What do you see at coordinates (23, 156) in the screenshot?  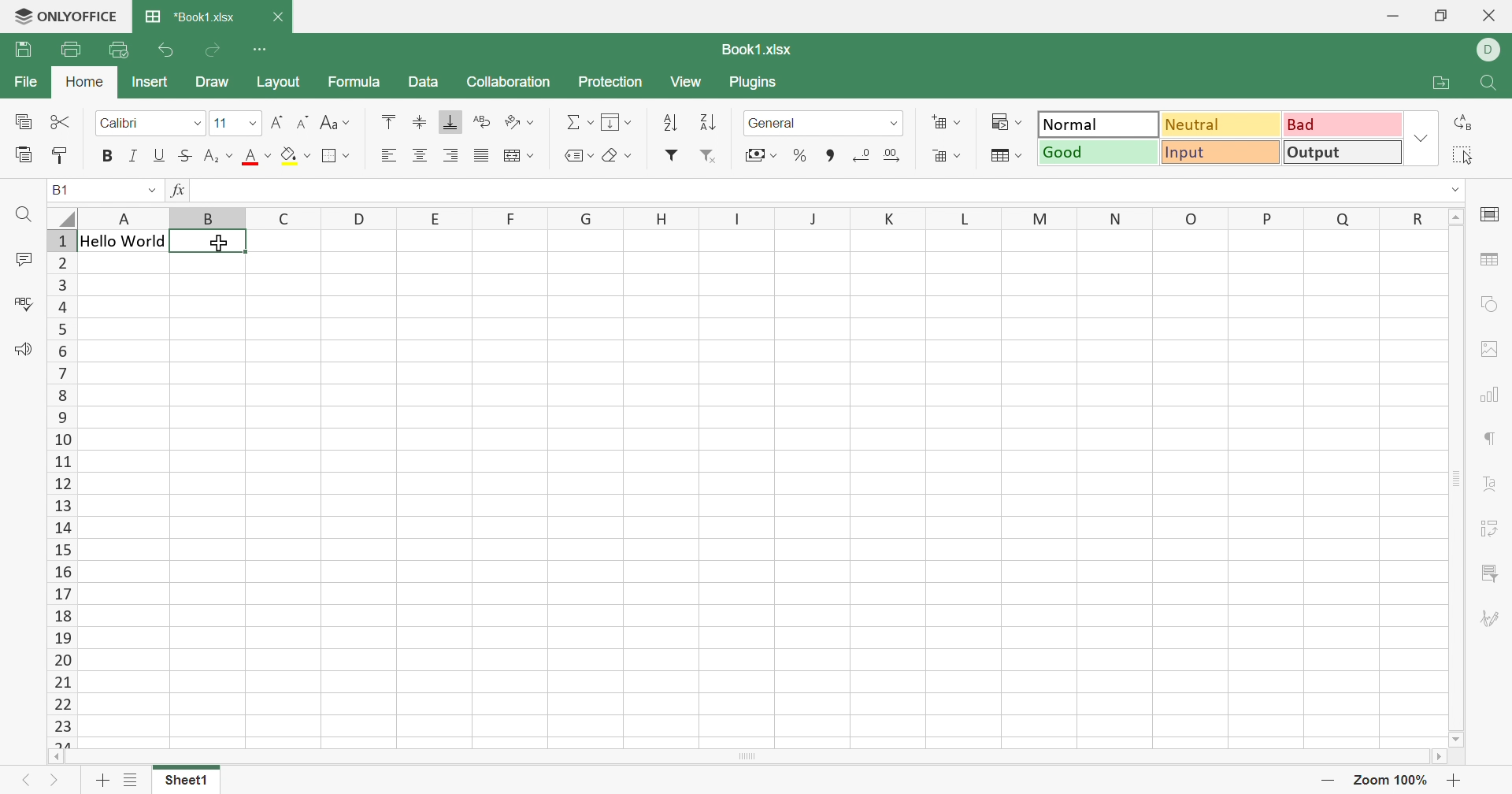 I see `Paste` at bounding box center [23, 156].